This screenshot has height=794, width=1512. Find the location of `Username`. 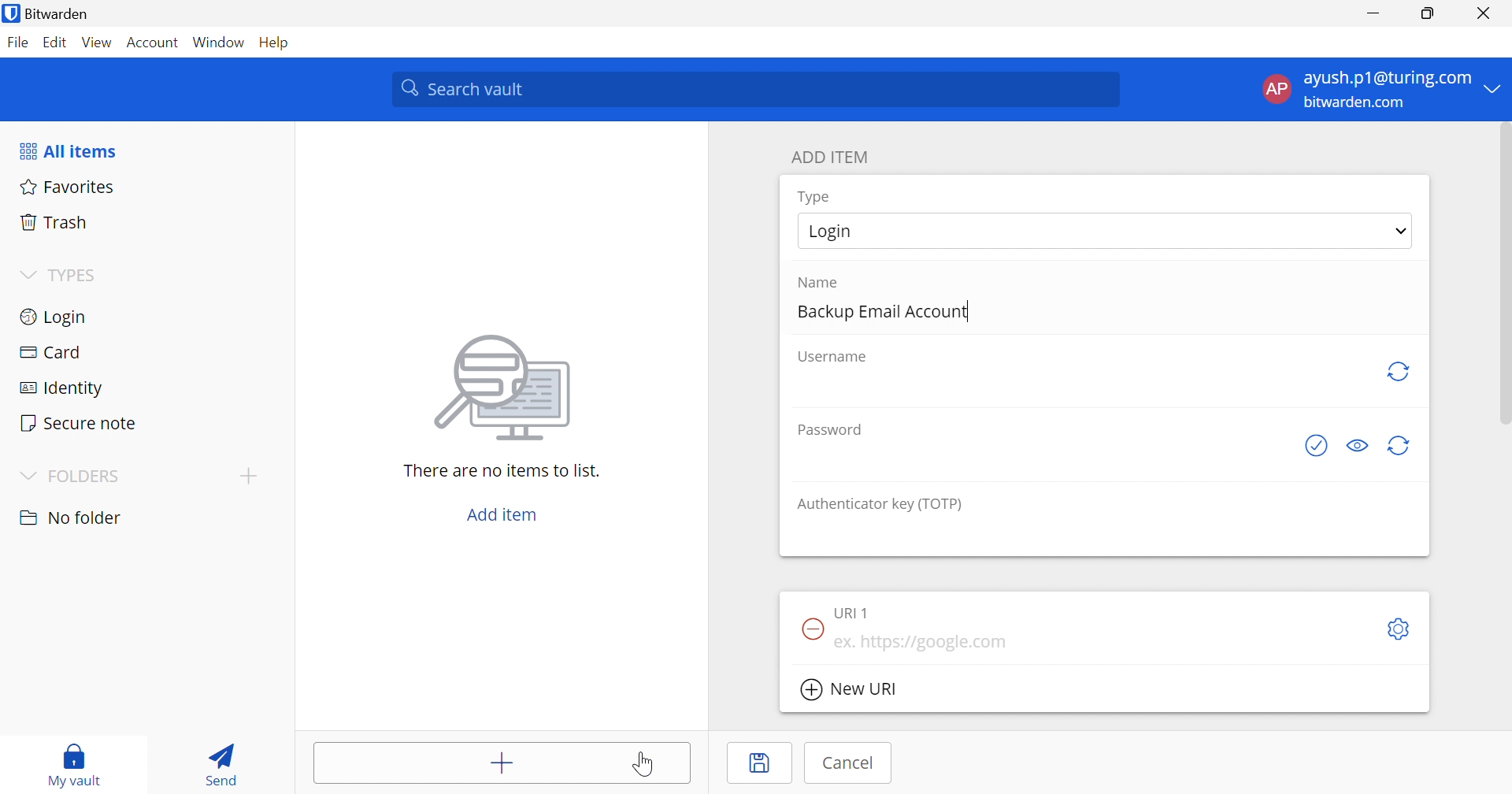

Username is located at coordinates (834, 355).